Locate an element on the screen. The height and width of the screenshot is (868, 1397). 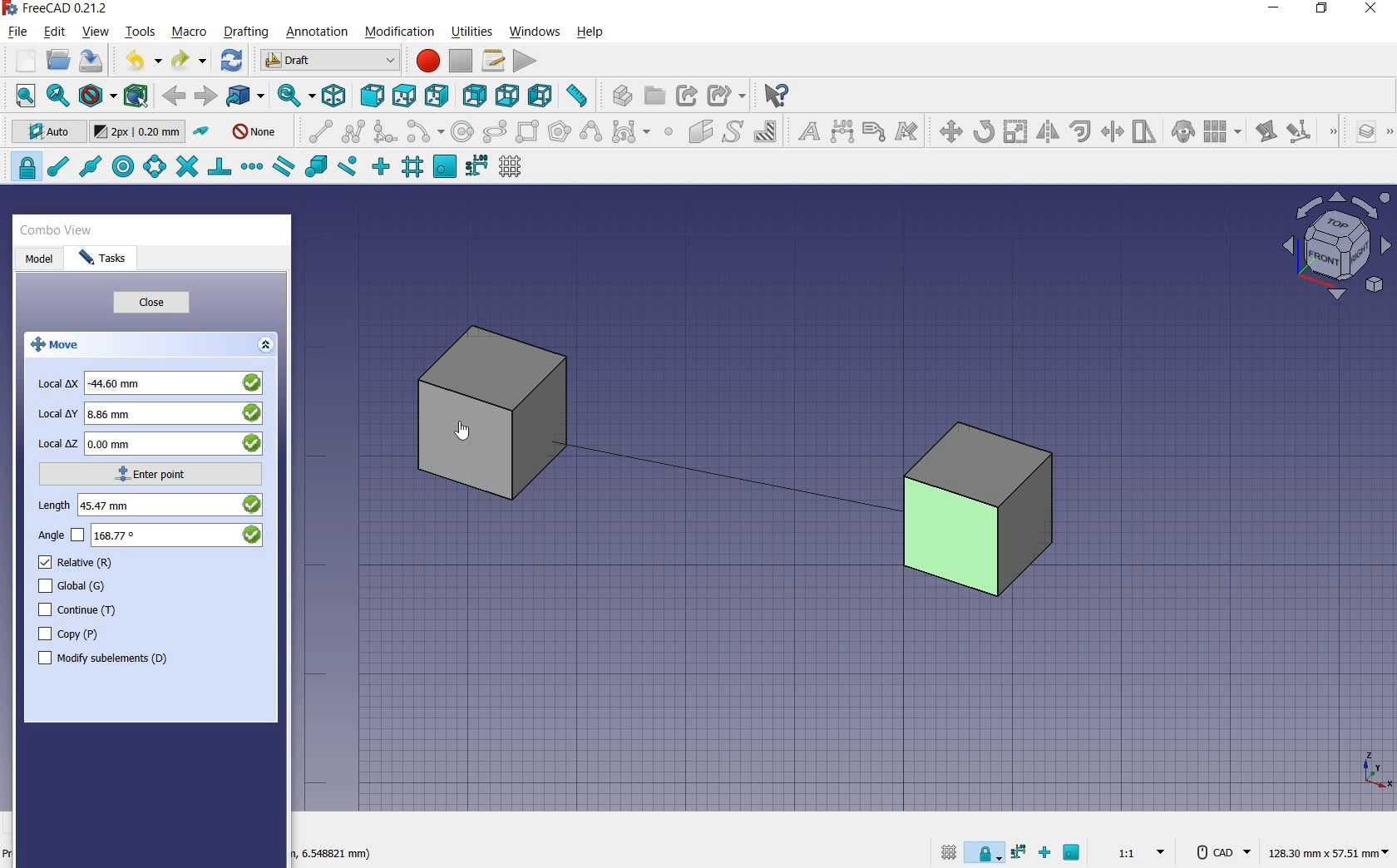
file is located at coordinates (19, 31).